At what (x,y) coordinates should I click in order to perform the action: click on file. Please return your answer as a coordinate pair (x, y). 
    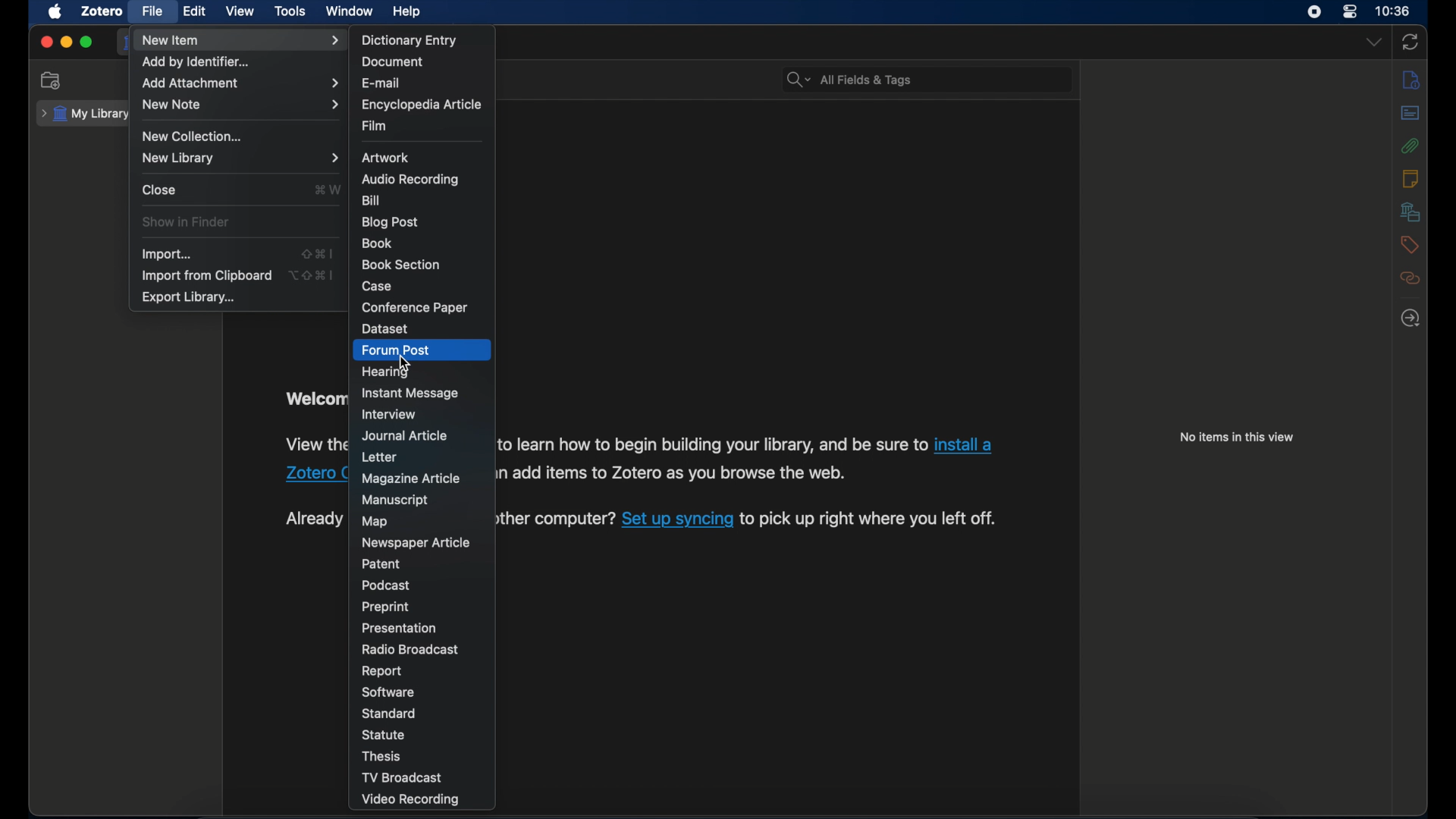
    Looking at the image, I should click on (153, 11).